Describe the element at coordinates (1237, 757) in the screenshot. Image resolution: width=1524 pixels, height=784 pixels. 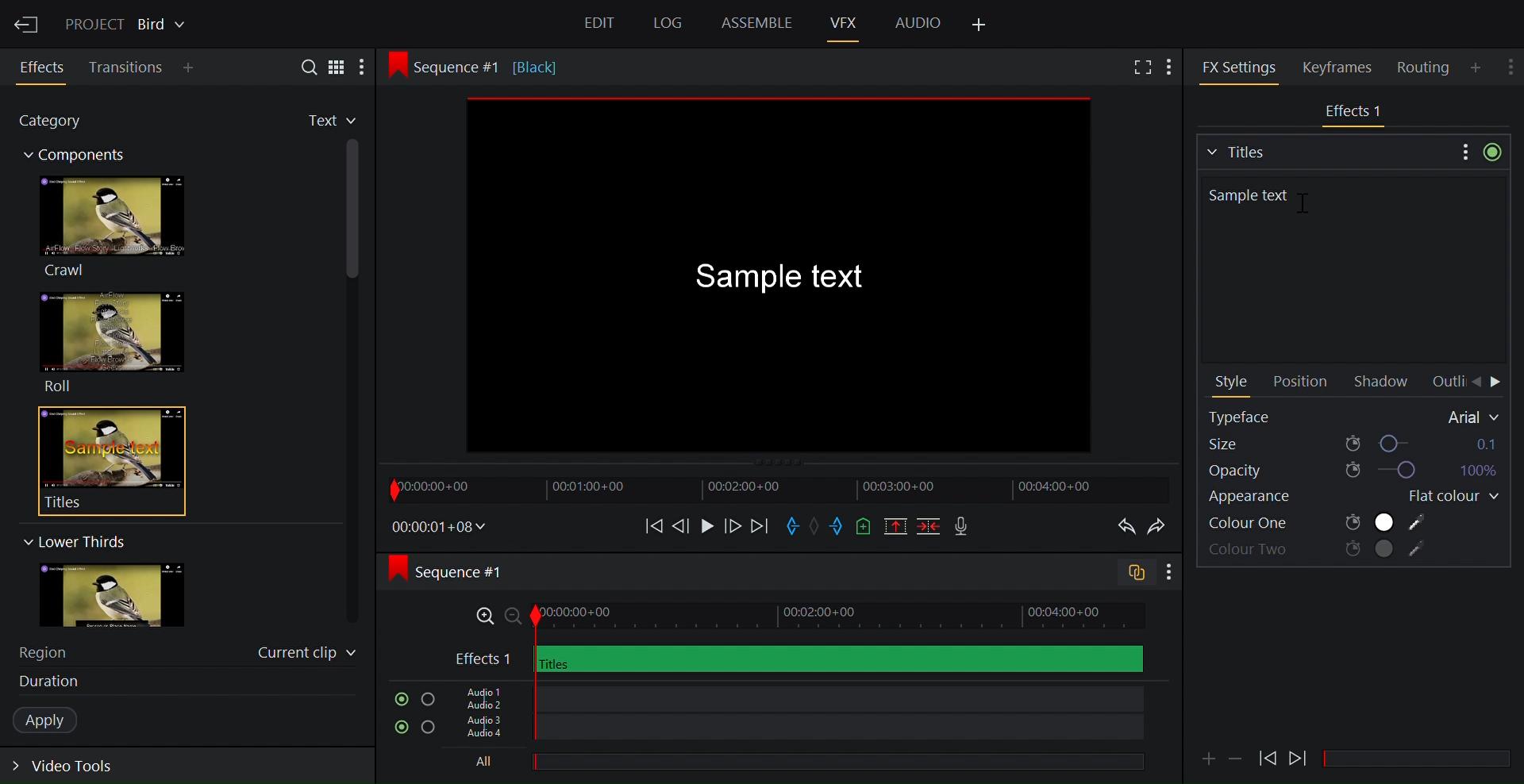
I see `Minimize` at that location.